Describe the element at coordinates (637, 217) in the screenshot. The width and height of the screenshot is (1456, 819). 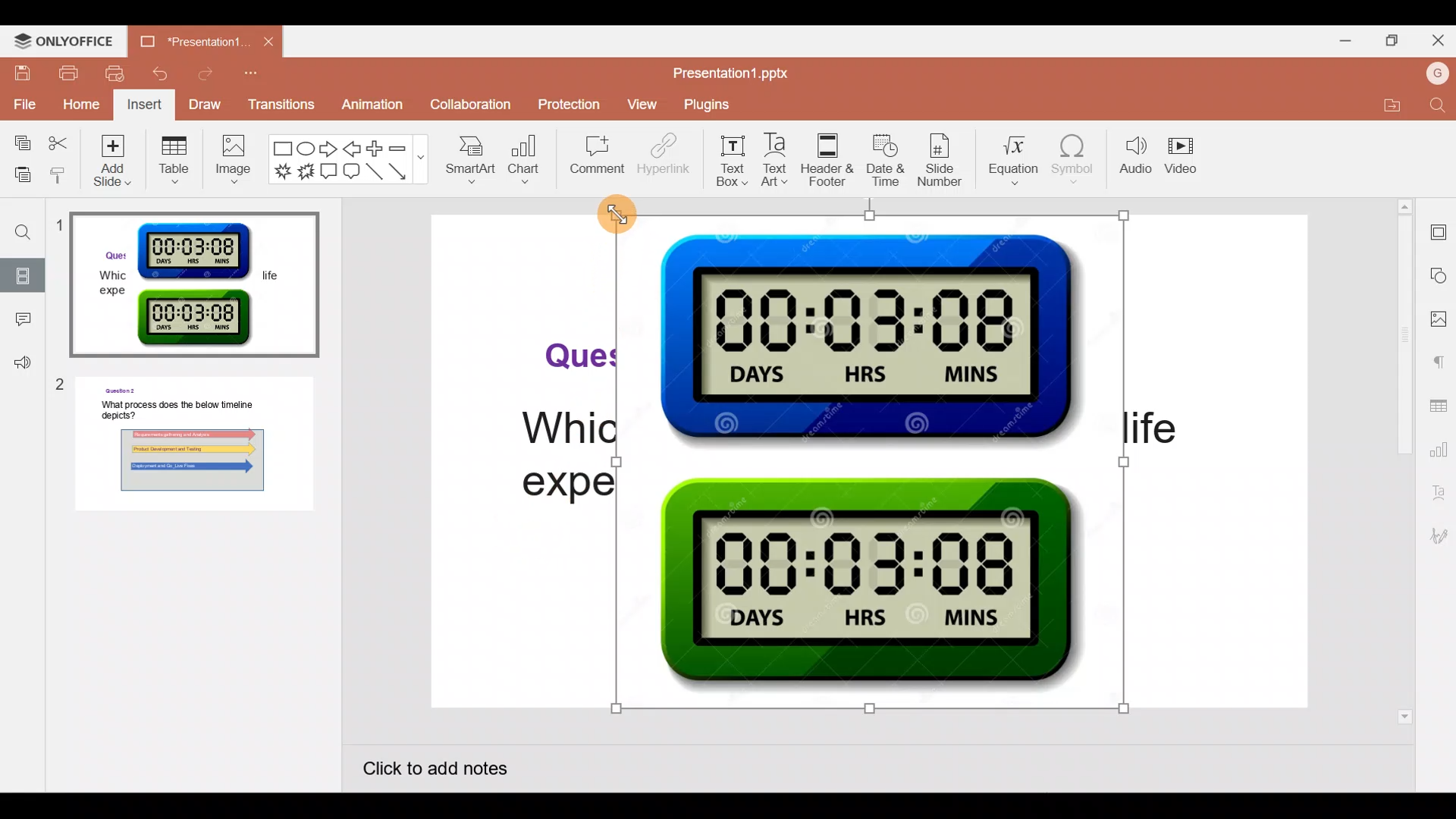
I see `Cursor on Inserted Timer Graphic` at that location.